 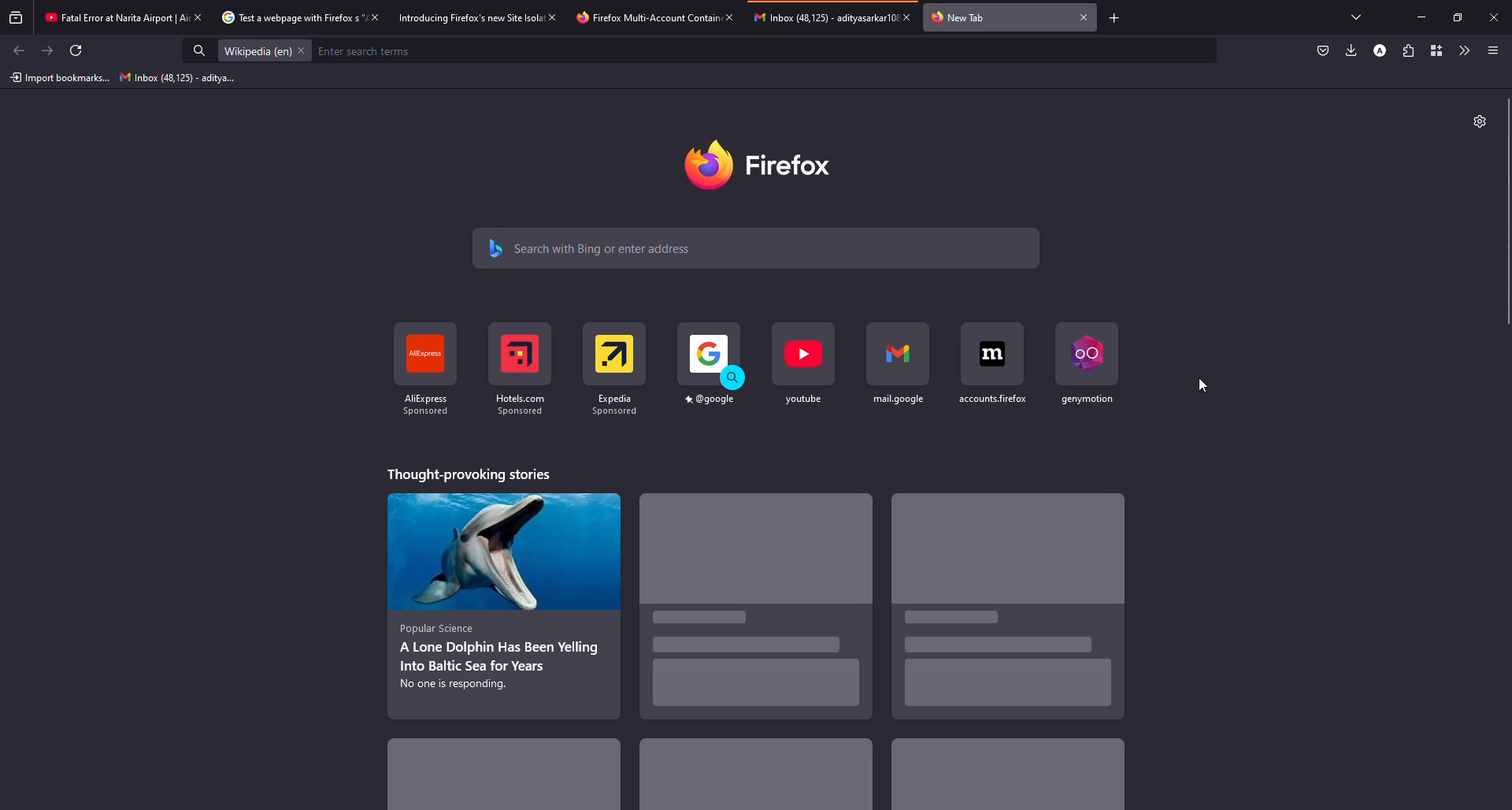 I want to click on back, so click(x=16, y=51).